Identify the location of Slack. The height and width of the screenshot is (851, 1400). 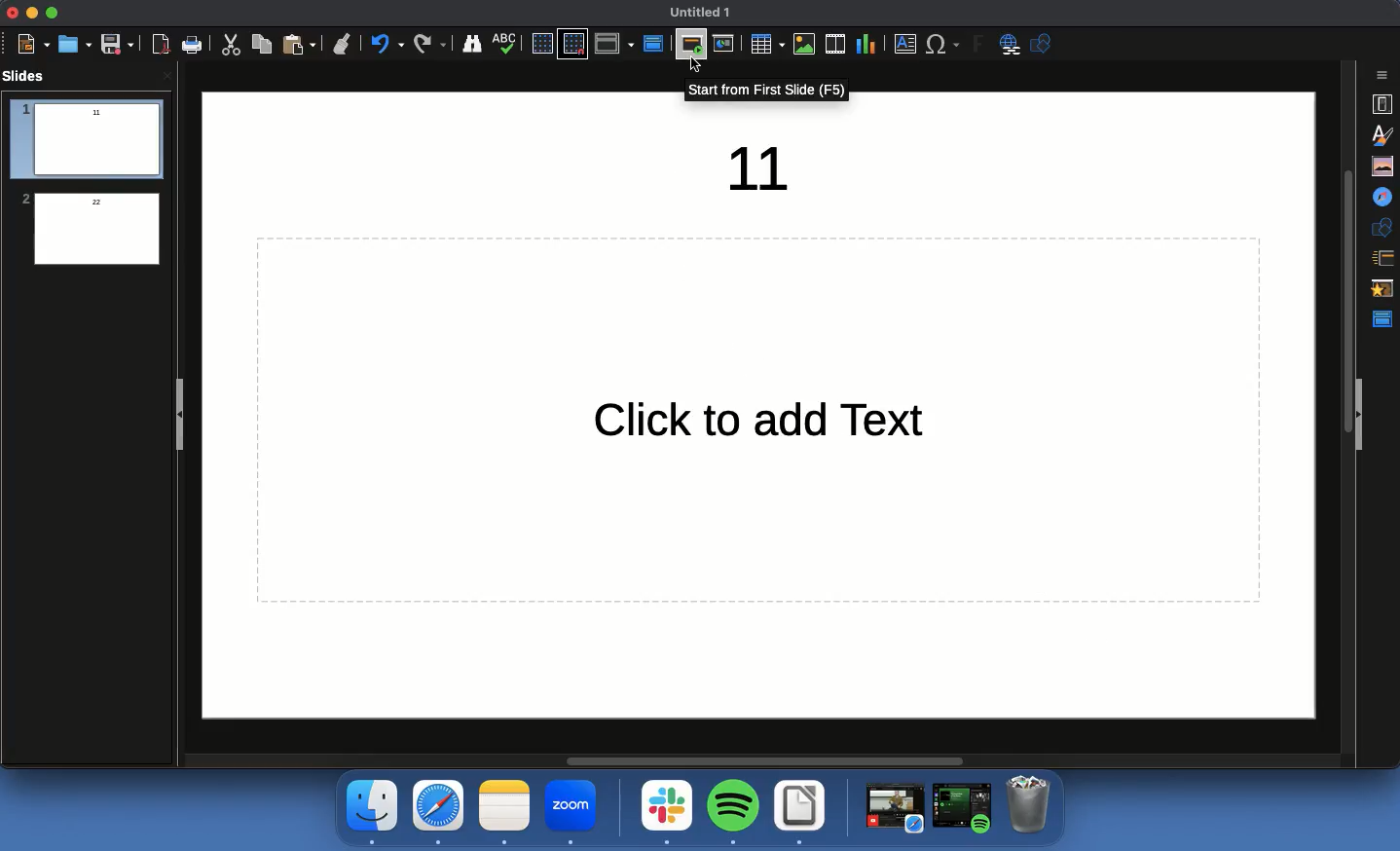
(668, 810).